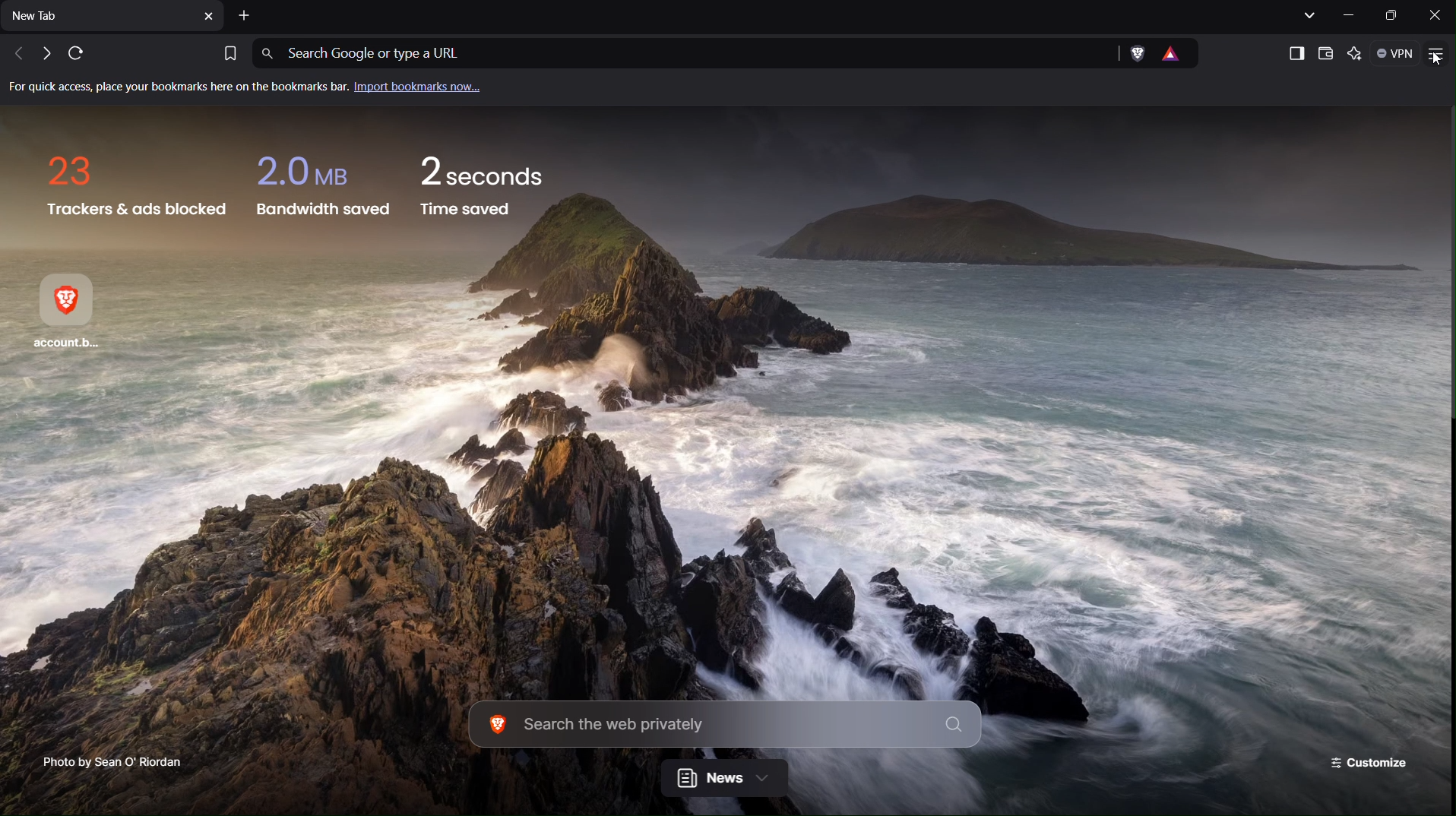  I want to click on Application Menu, so click(1439, 55).